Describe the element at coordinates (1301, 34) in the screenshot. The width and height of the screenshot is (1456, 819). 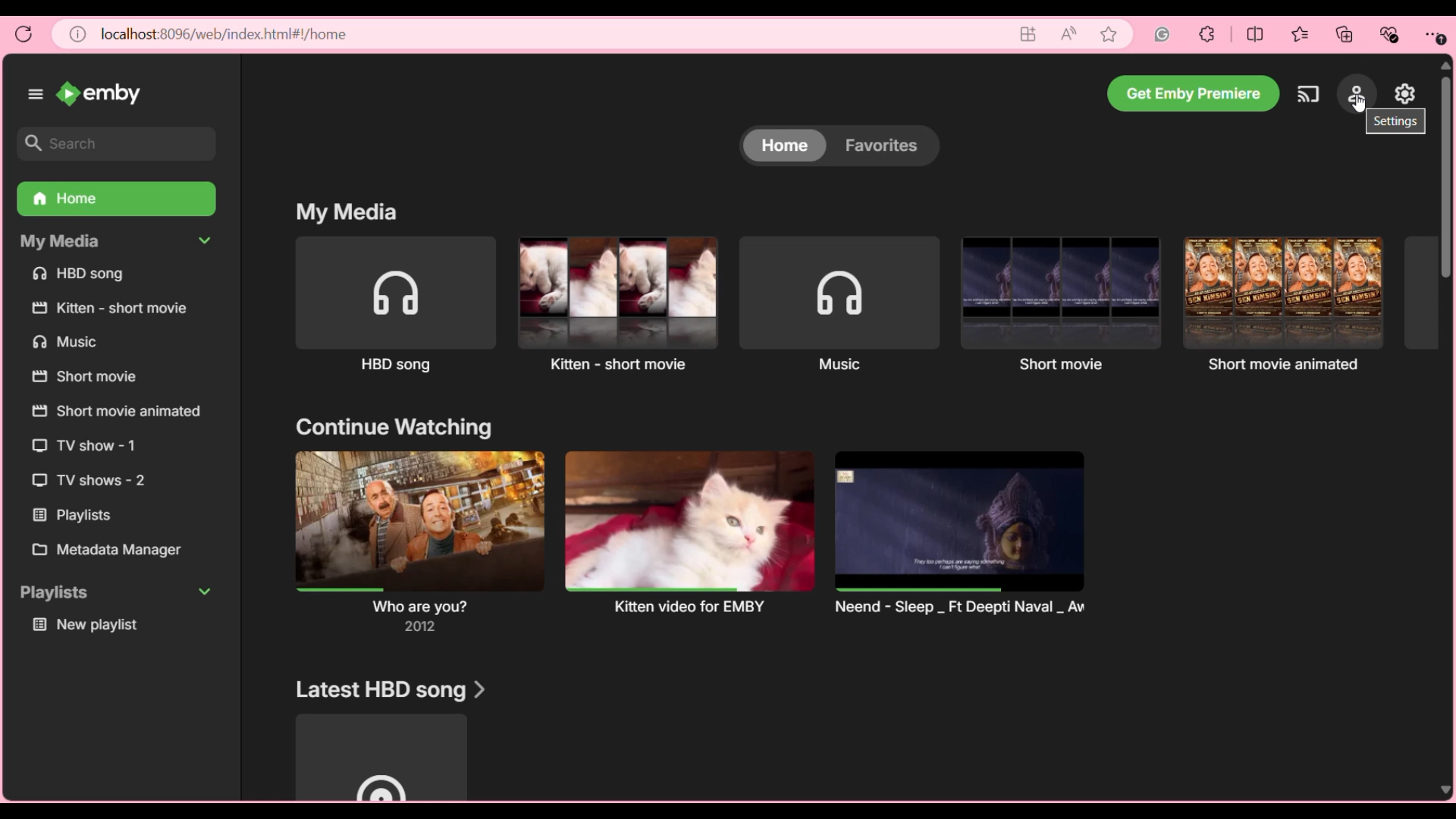
I see `Browser favorites` at that location.